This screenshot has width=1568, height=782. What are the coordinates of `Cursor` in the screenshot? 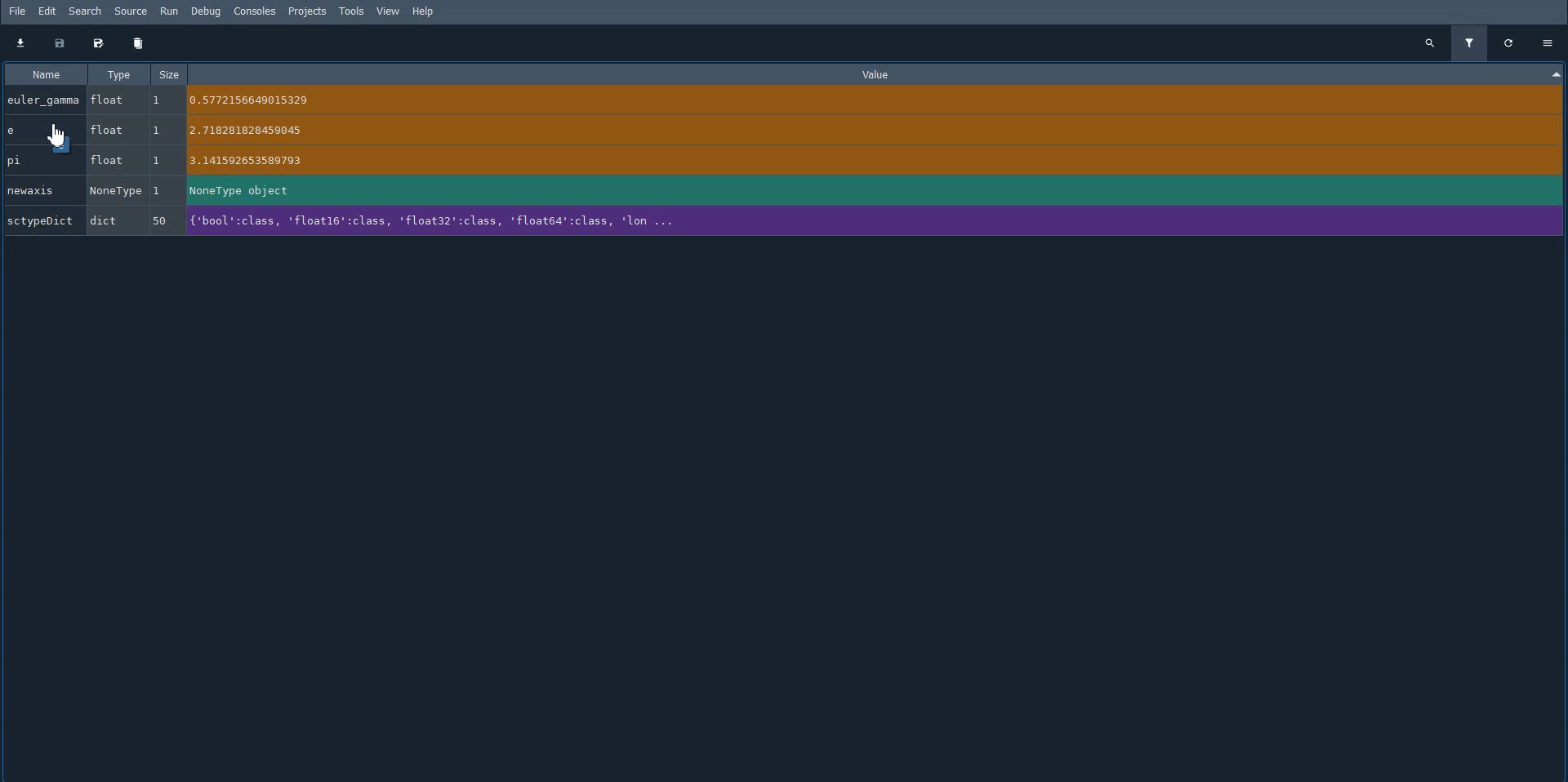 It's located at (57, 134).